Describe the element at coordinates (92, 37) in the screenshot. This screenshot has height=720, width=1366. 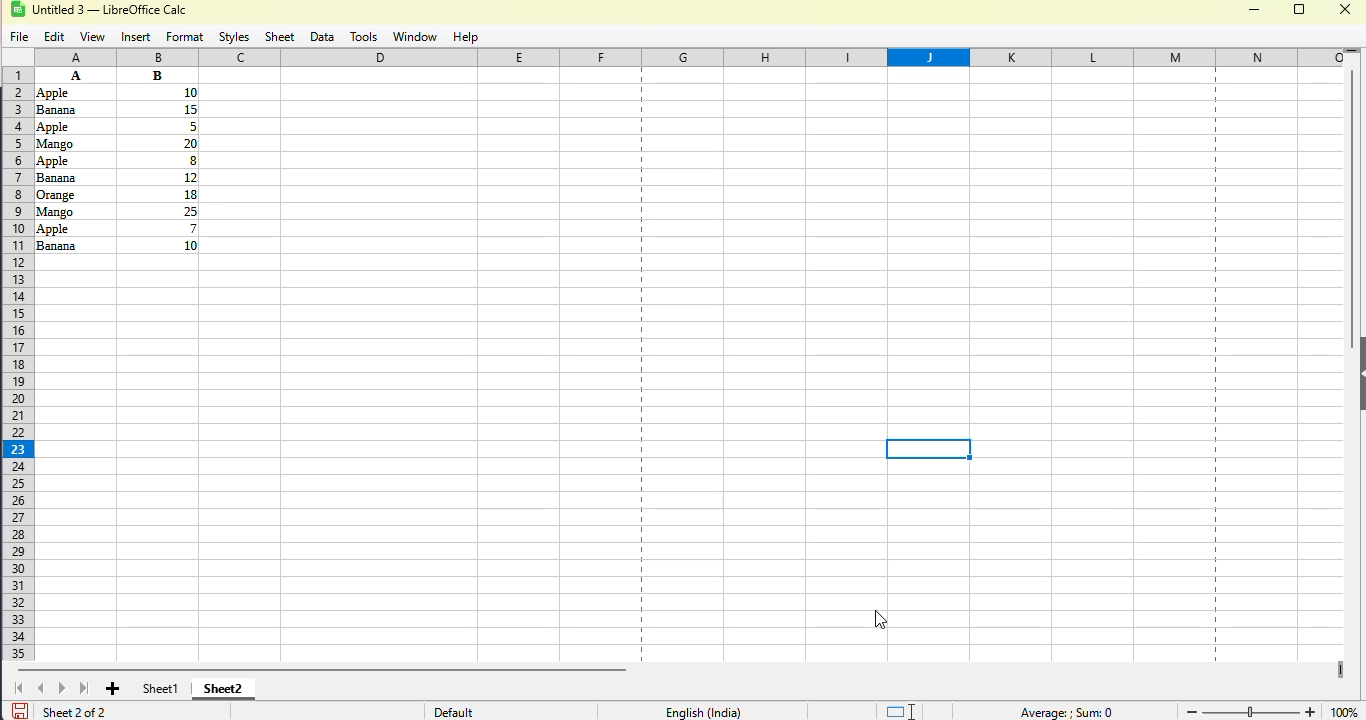
I see `view` at that location.